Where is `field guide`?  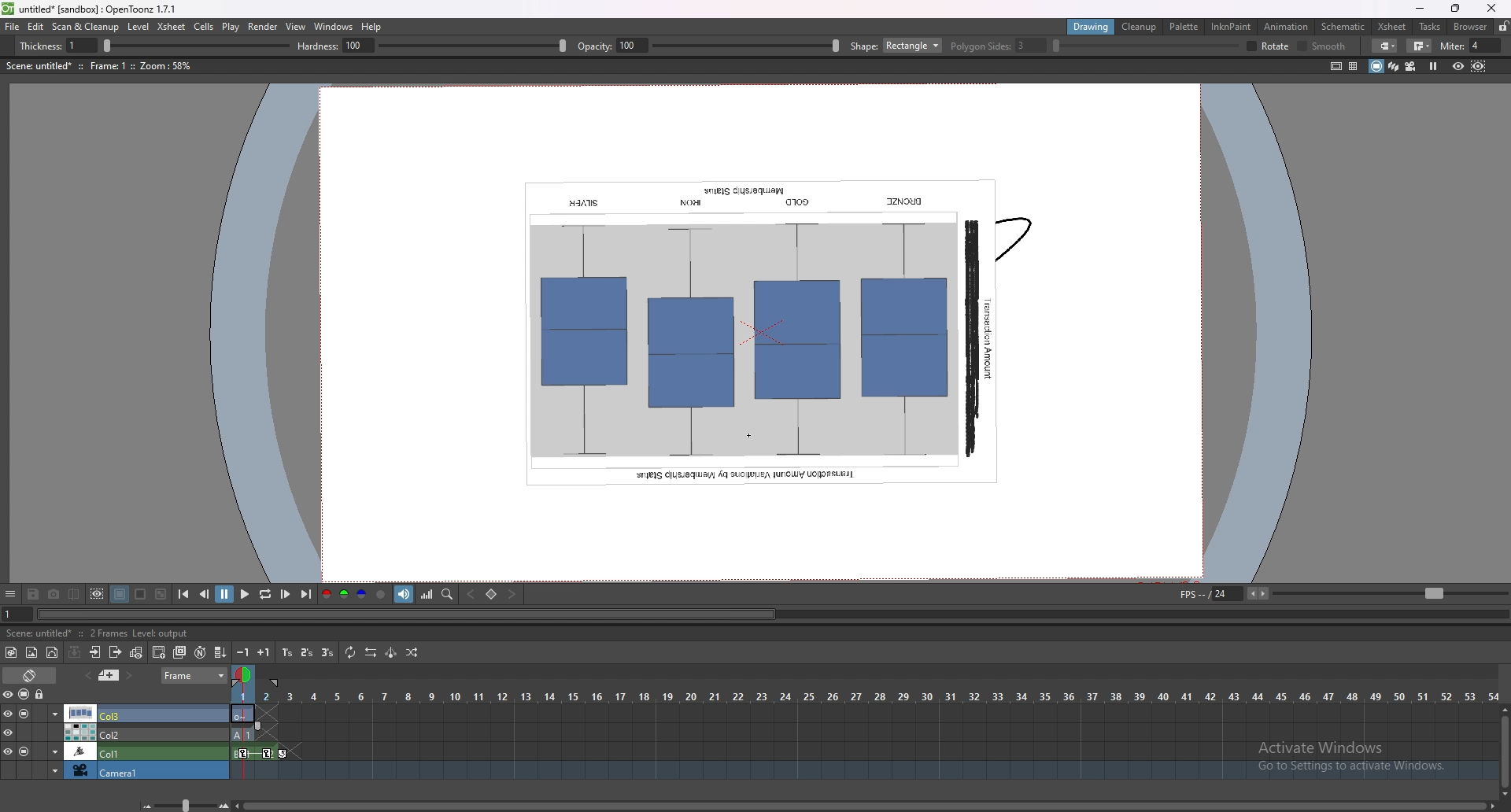 field guide is located at coordinates (1354, 66).